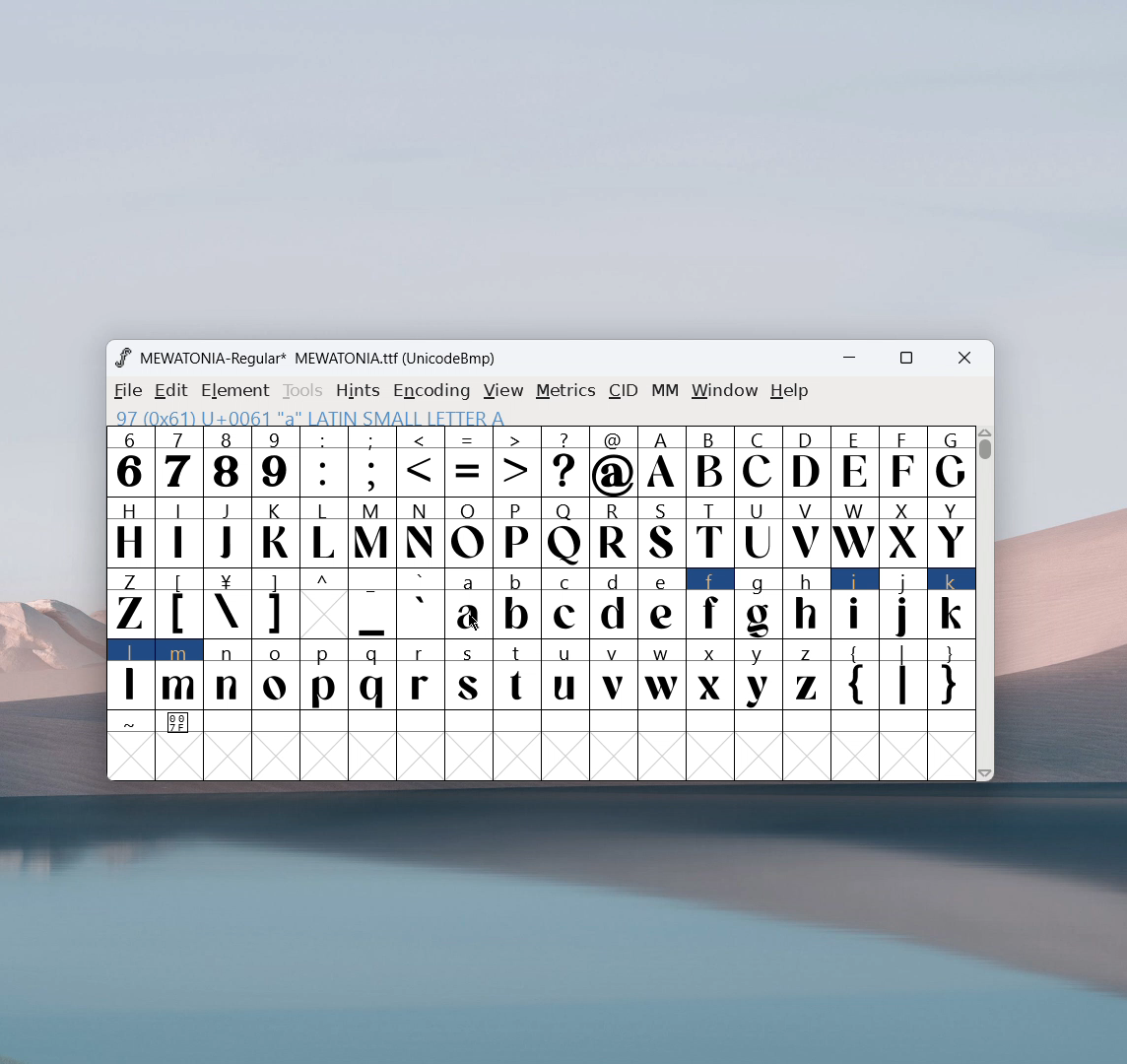 This screenshot has height=1064, width=1127. Describe the element at coordinates (854, 677) in the screenshot. I see `{` at that location.